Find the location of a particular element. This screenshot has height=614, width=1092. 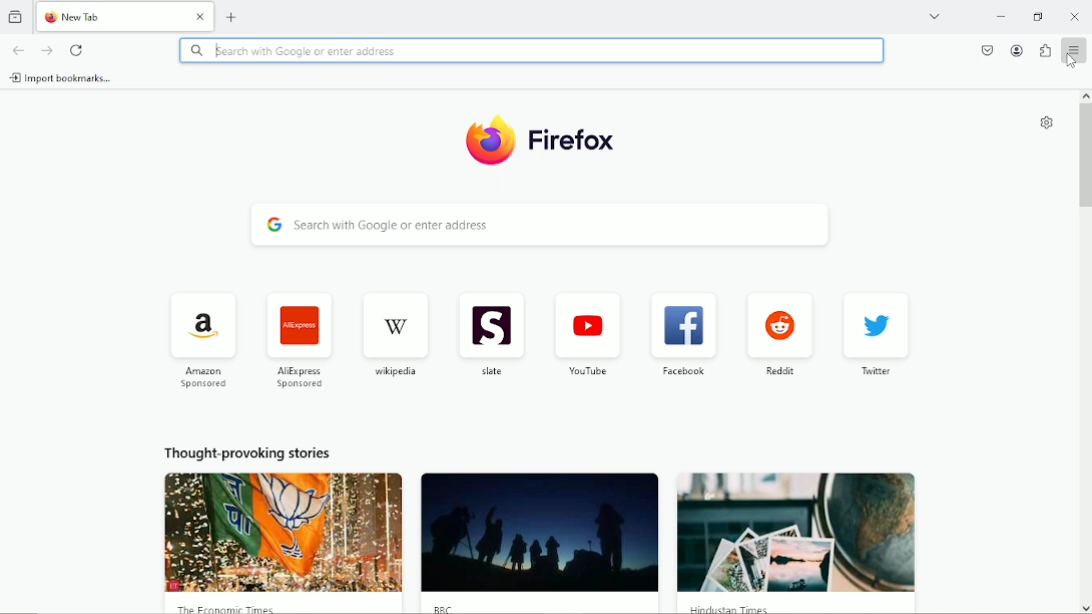

thought provoking stories is located at coordinates (248, 454).